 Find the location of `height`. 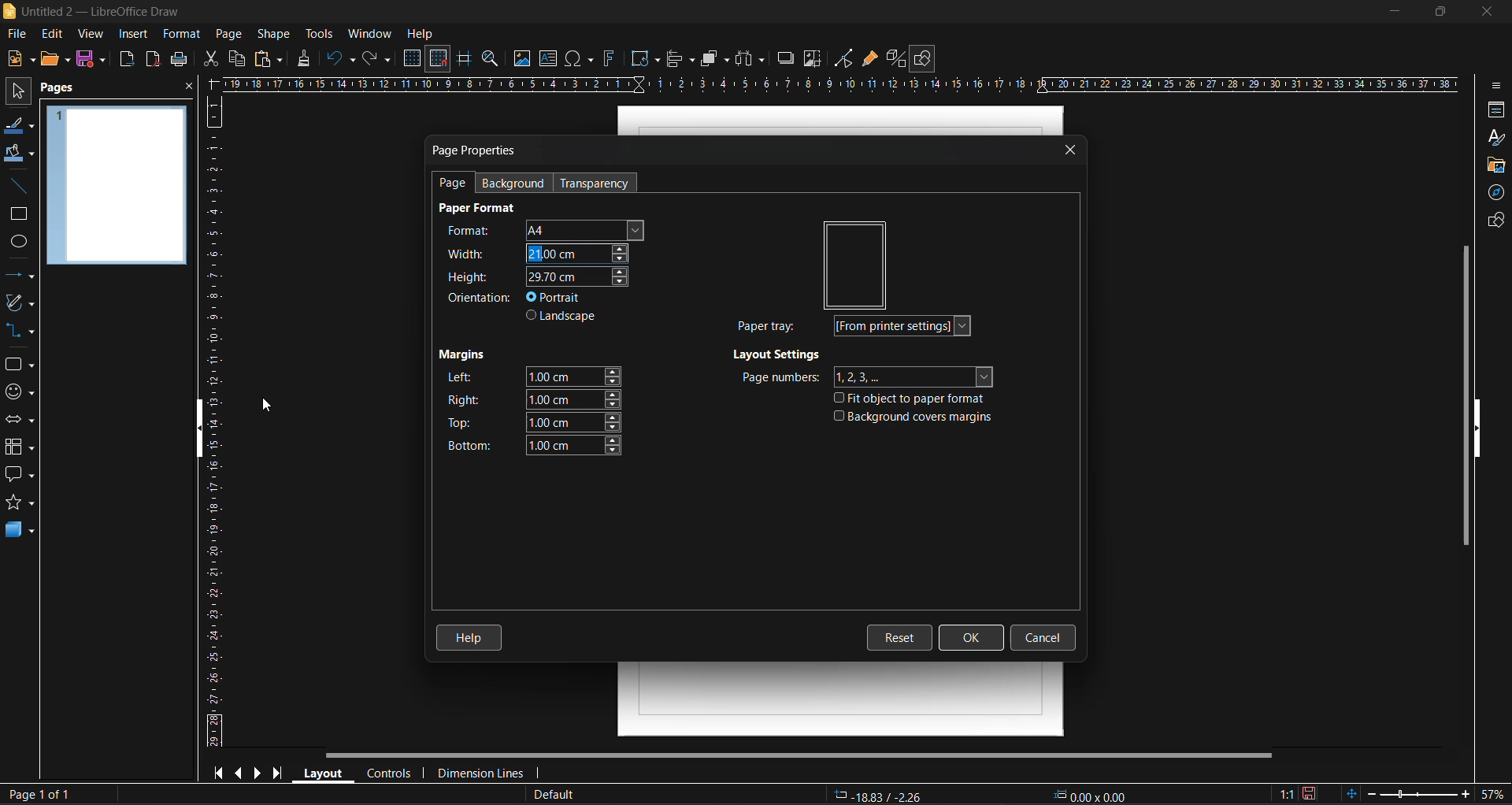

height is located at coordinates (533, 276).